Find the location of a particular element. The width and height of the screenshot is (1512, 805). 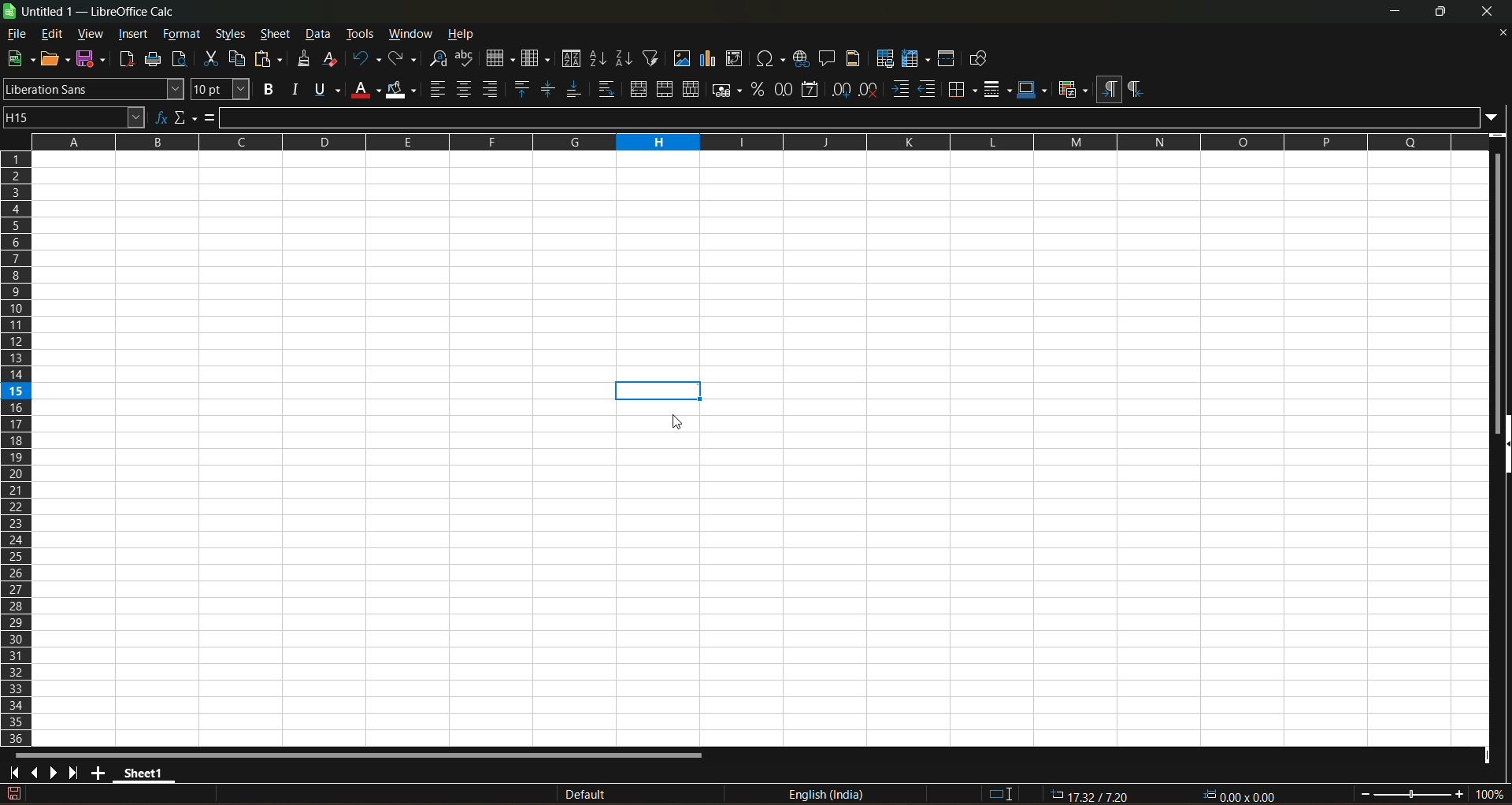

styles is located at coordinates (234, 35).